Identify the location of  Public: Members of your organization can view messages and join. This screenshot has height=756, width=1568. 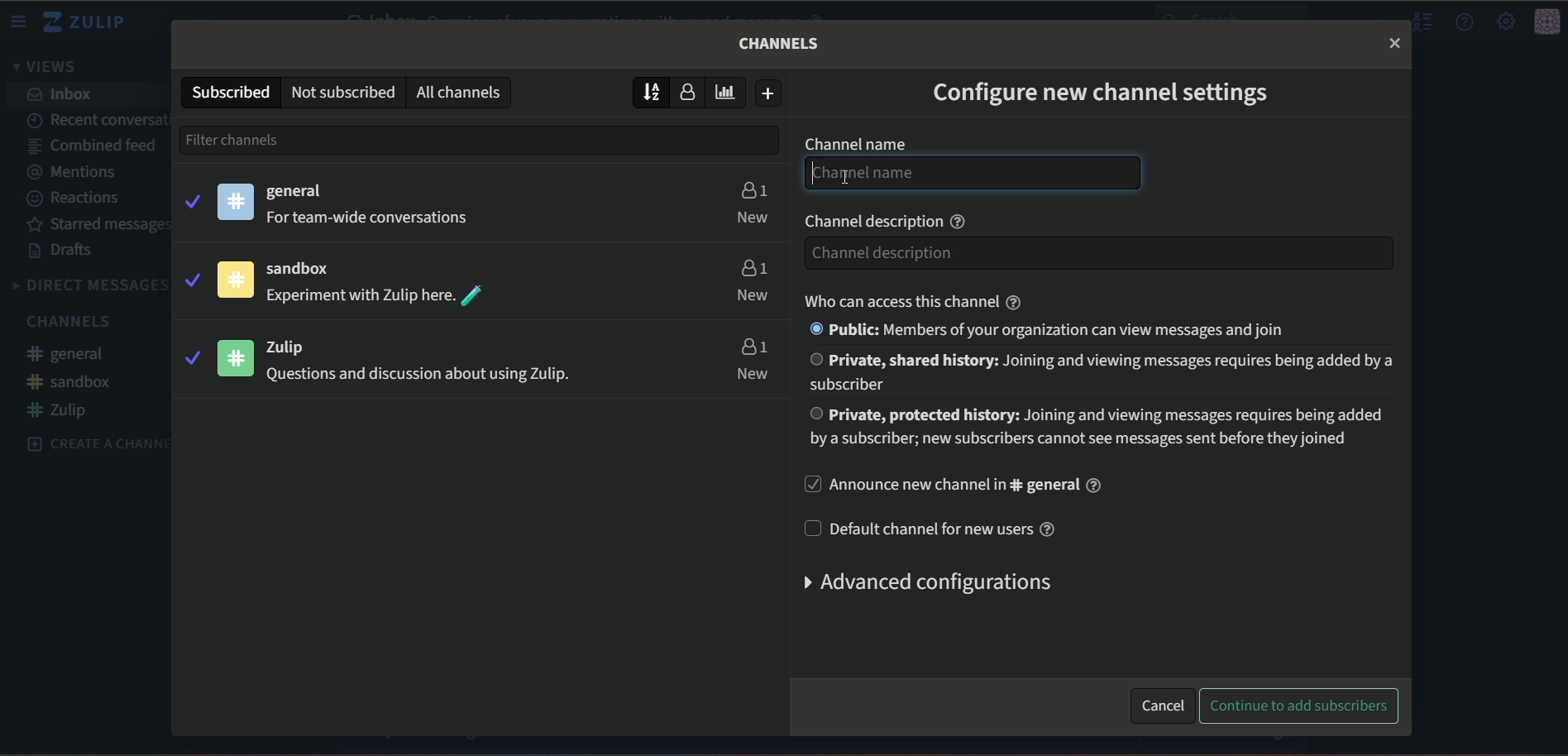
(1053, 330).